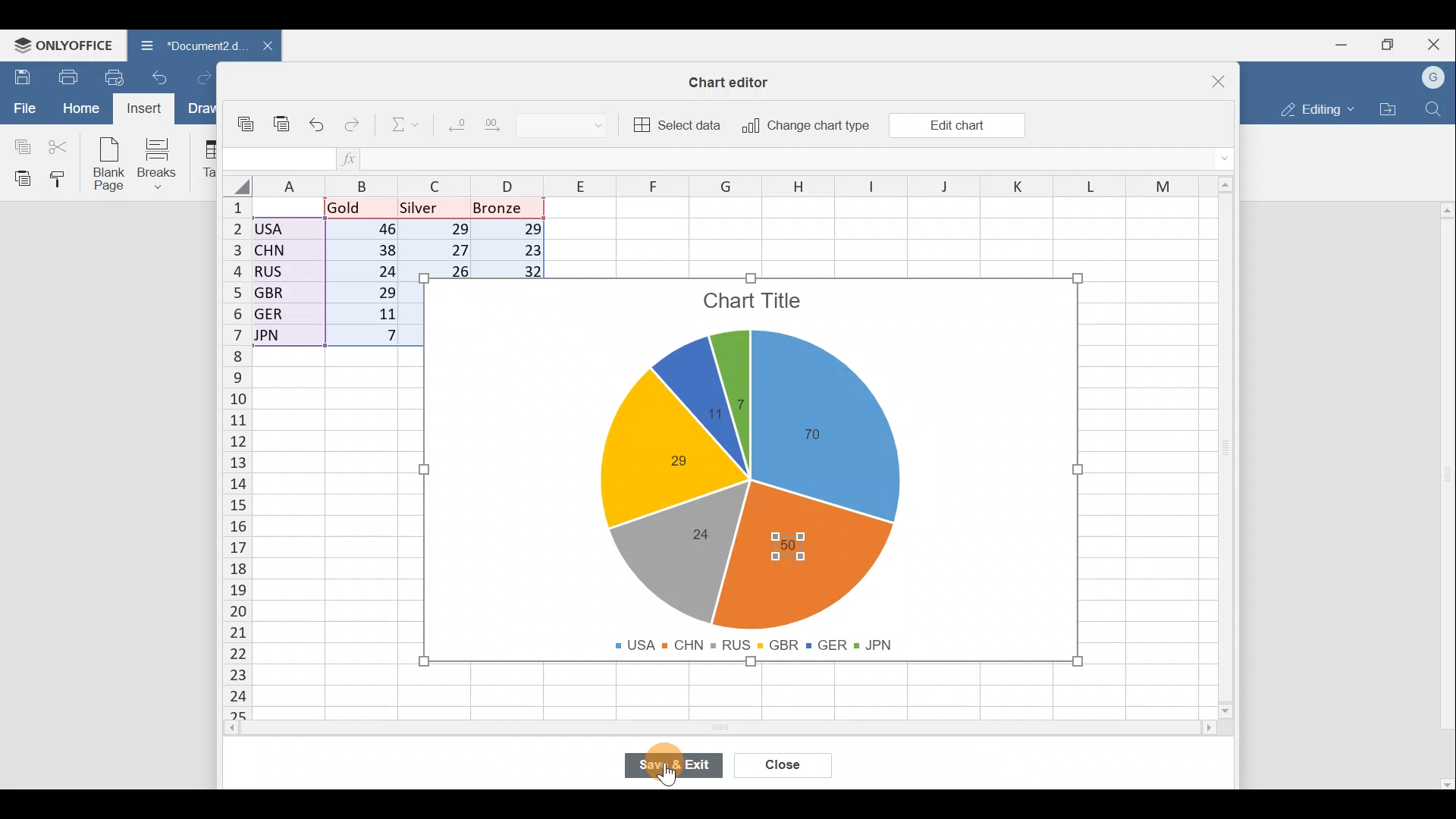 The width and height of the screenshot is (1456, 819). Describe the element at coordinates (965, 124) in the screenshot. I see `Cursor on Edit chart` at that location.